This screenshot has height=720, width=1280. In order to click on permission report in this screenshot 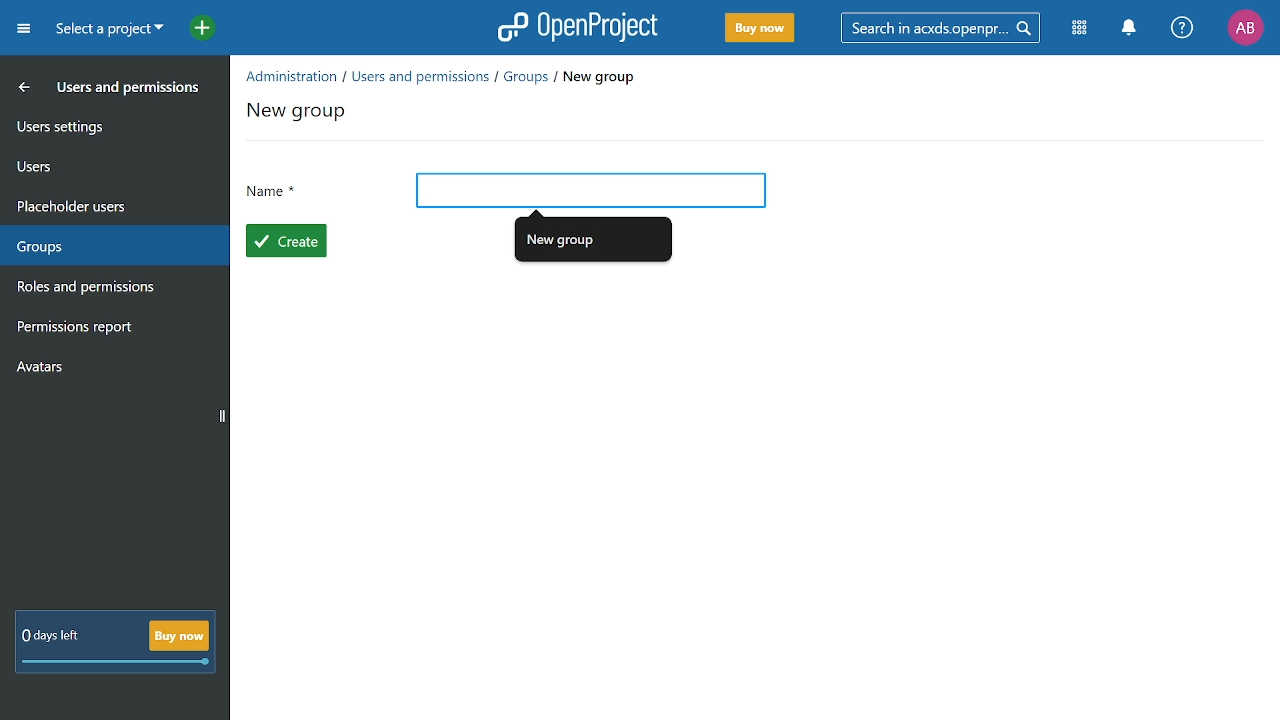, I will do `click(107, 329)`.